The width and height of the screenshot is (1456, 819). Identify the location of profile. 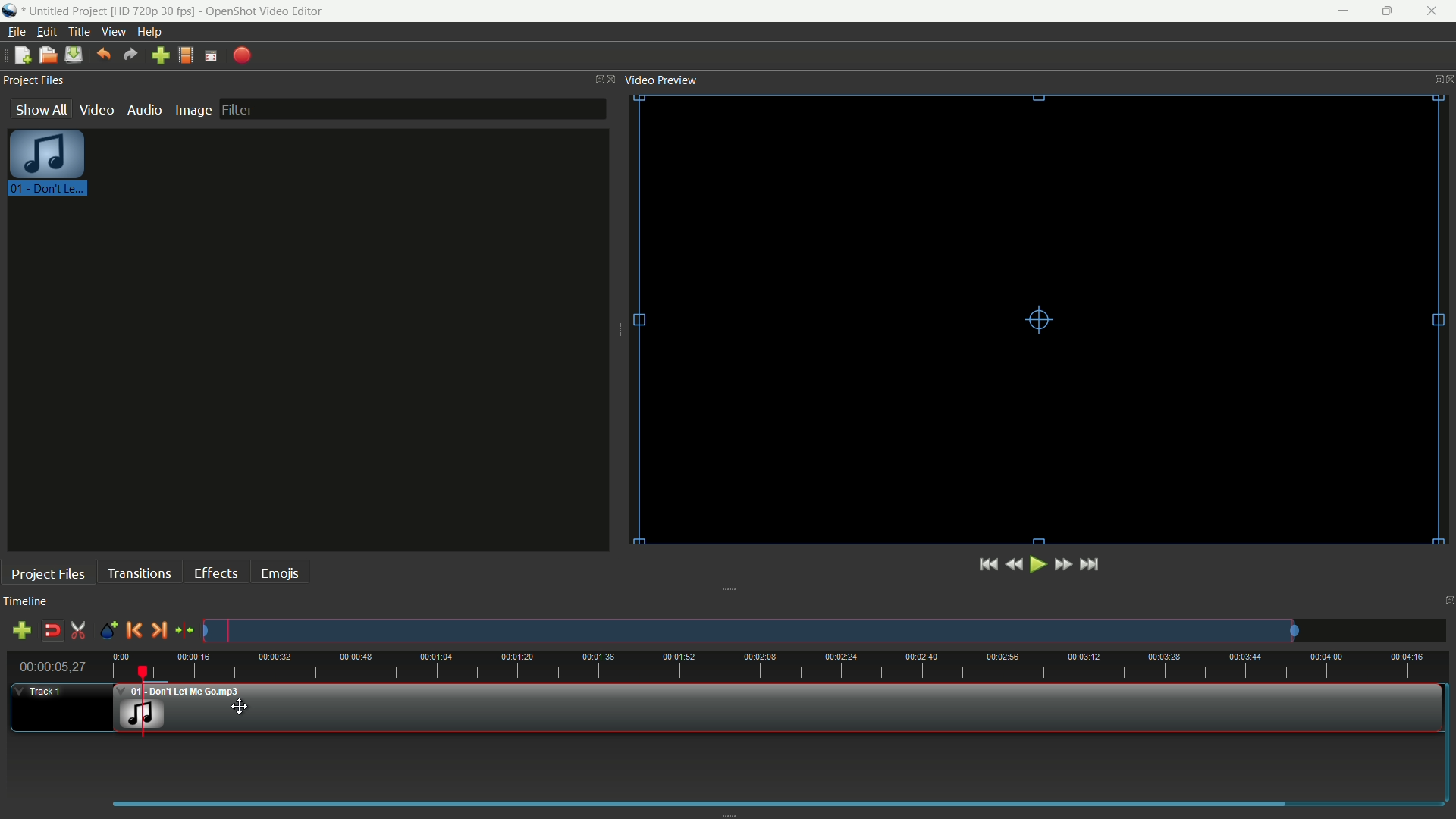
(187, 56).